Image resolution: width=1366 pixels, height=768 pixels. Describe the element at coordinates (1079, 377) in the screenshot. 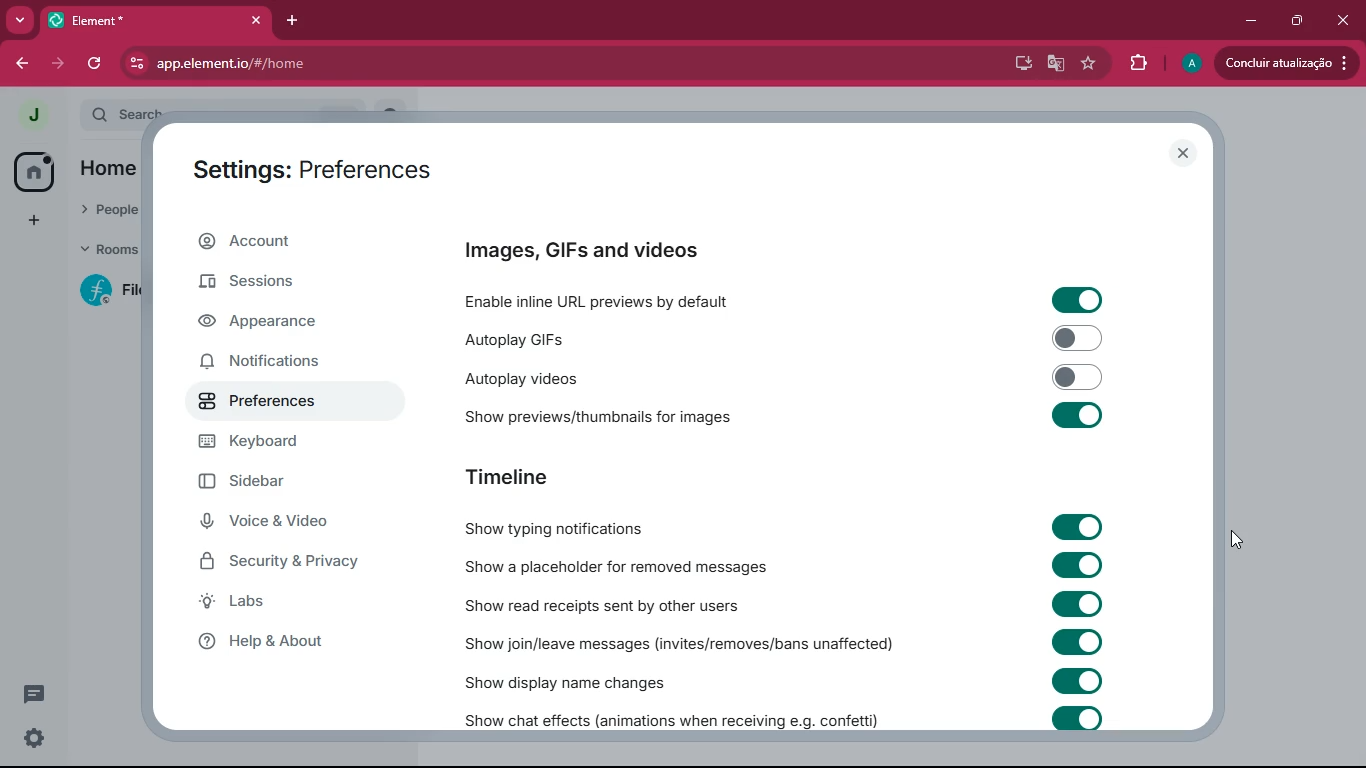

I see `toggle on/off` at that location.